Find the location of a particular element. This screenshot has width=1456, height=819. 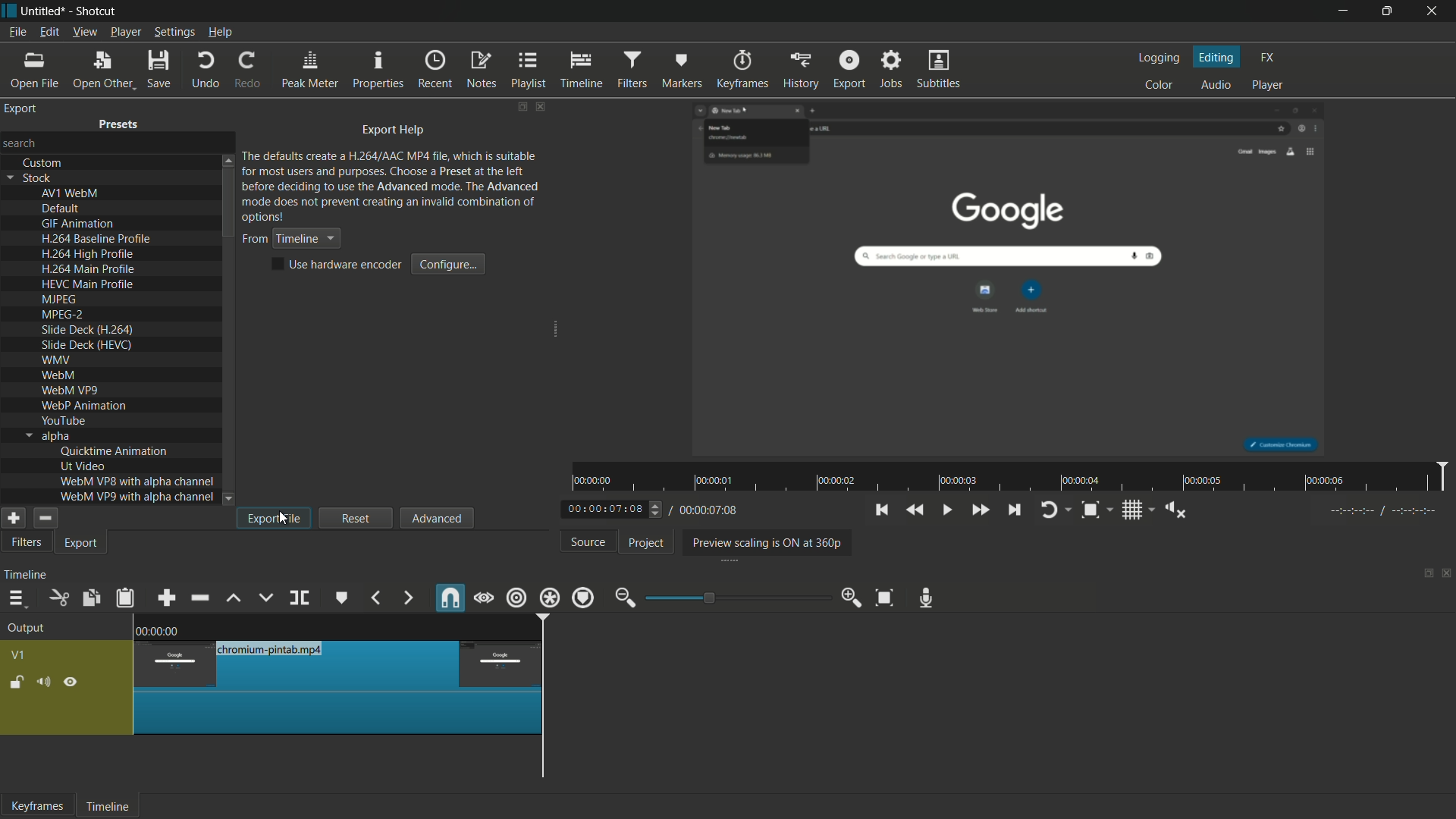

quicktime animation is located at coordinates (113, 452).